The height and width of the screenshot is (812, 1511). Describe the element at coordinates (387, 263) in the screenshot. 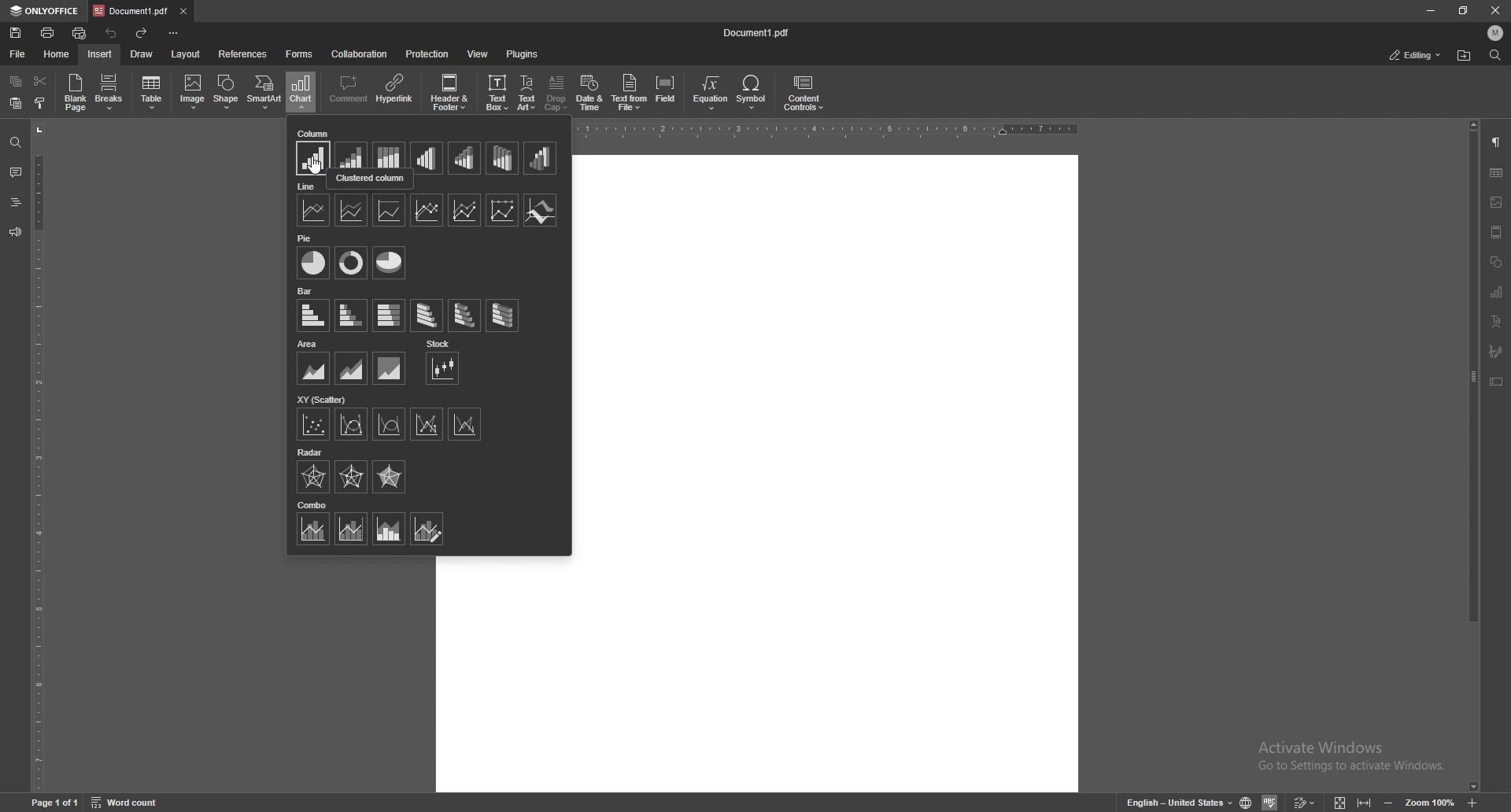

I see `3-D pie` at that location.